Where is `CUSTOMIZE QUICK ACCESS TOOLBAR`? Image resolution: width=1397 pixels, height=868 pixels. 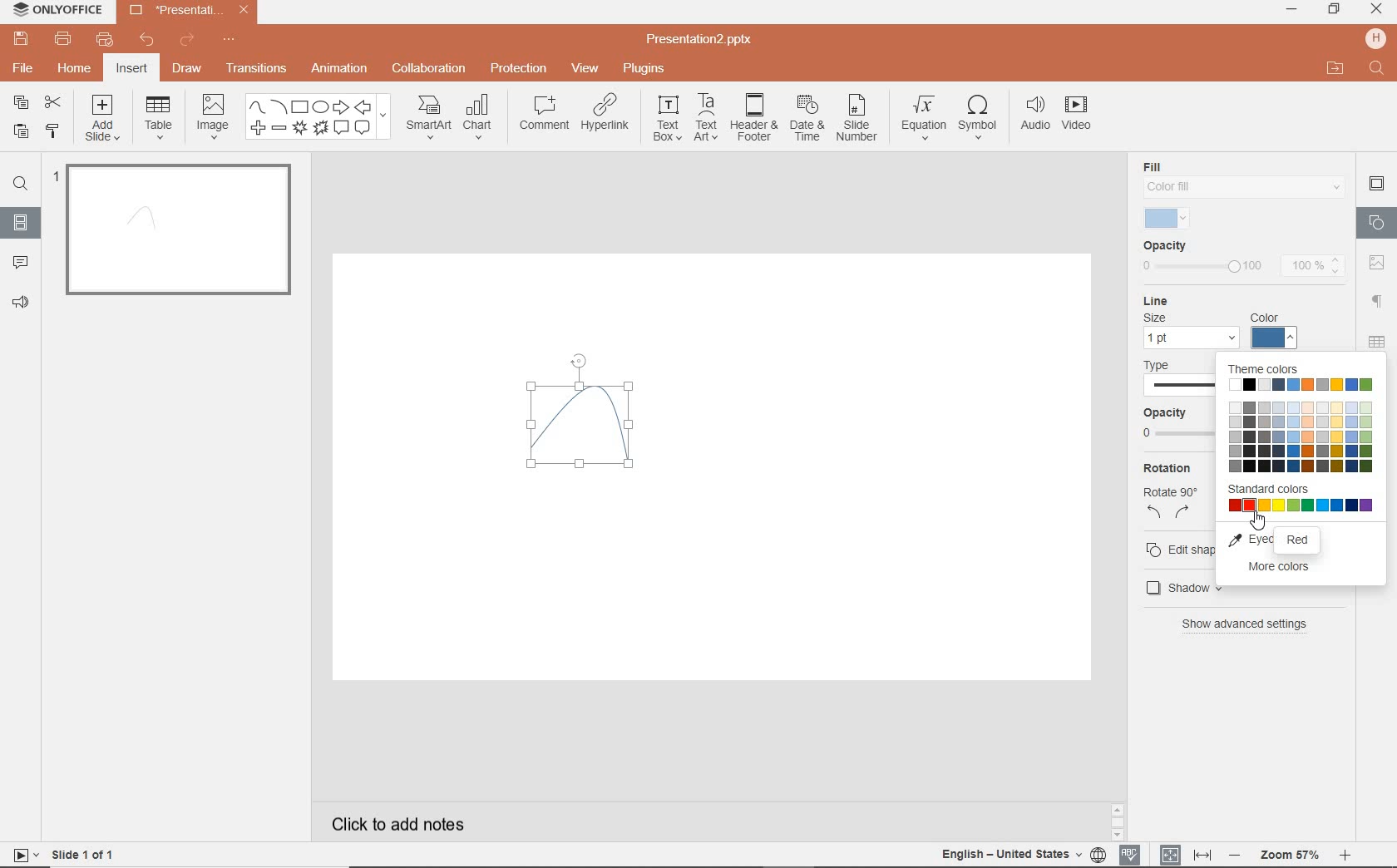 CUSTOMIZE QUICK ACCESS TOOLBAR is located at coordinates (229, 42).